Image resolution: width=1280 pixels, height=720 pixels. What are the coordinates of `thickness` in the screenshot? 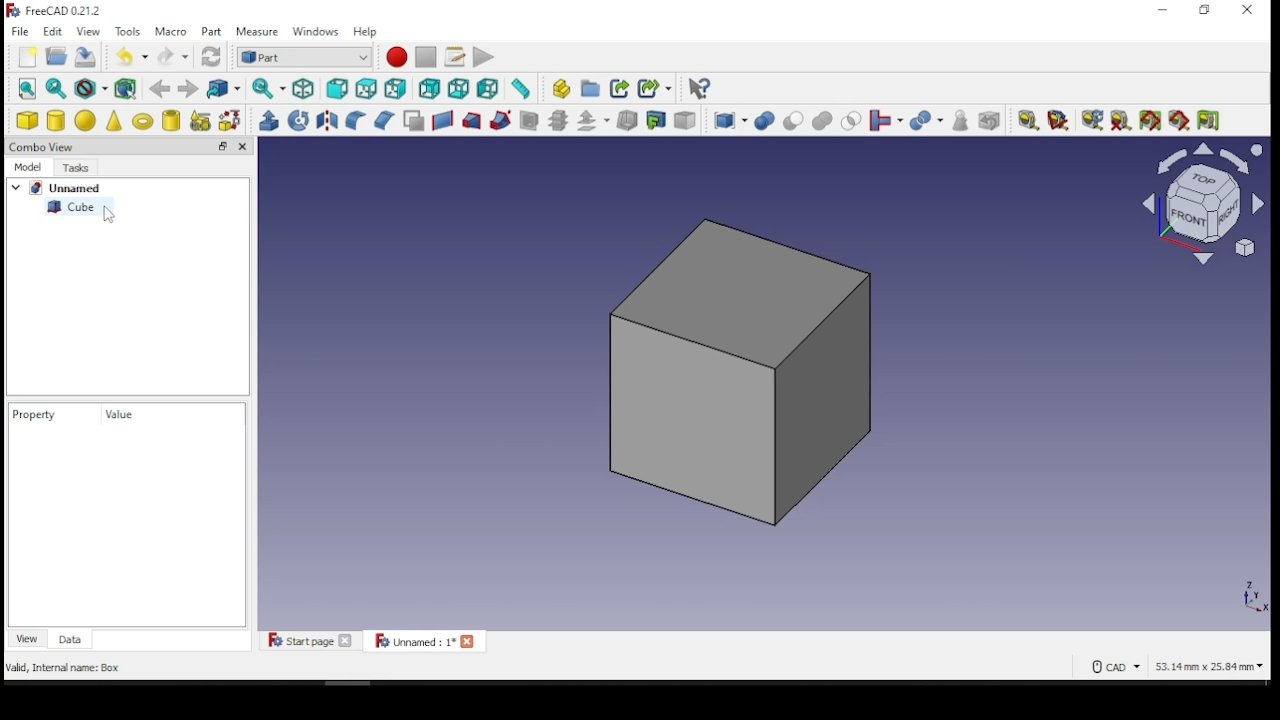 It's located at (627, 121).